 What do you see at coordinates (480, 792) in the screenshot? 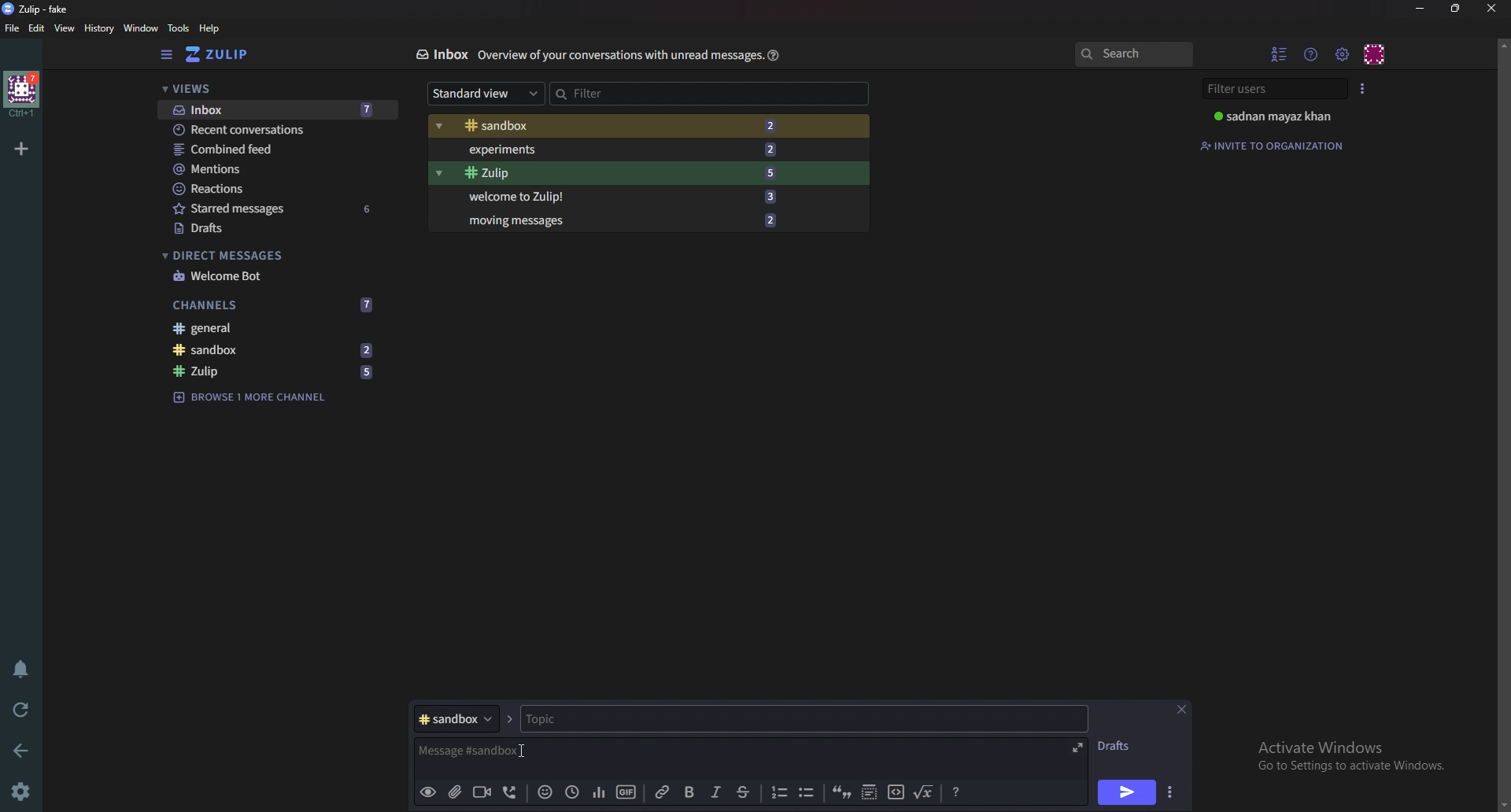
I see `Video call` at bounding box center [480, 792].